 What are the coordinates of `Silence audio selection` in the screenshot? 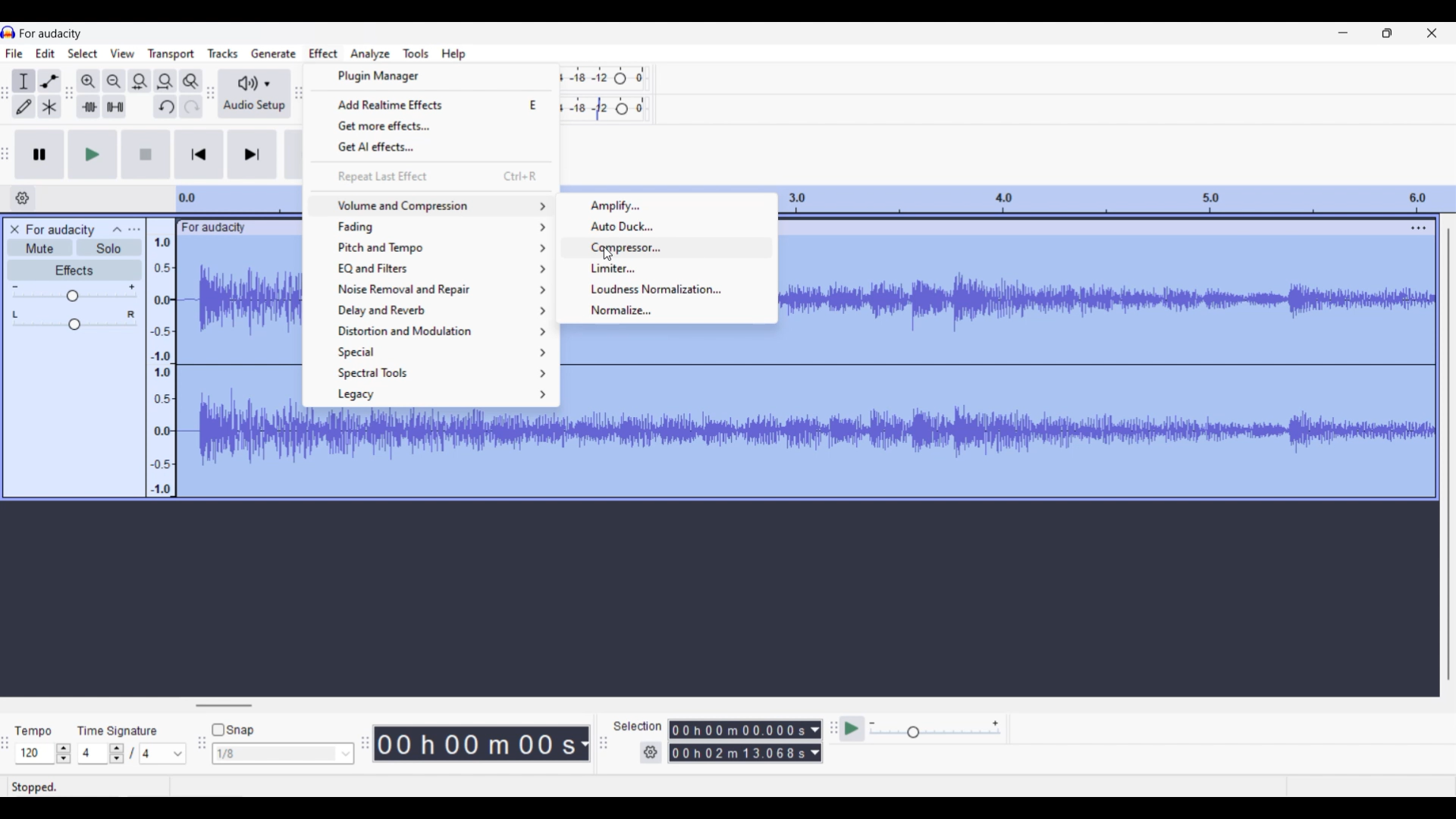 It's located at (115, 106).